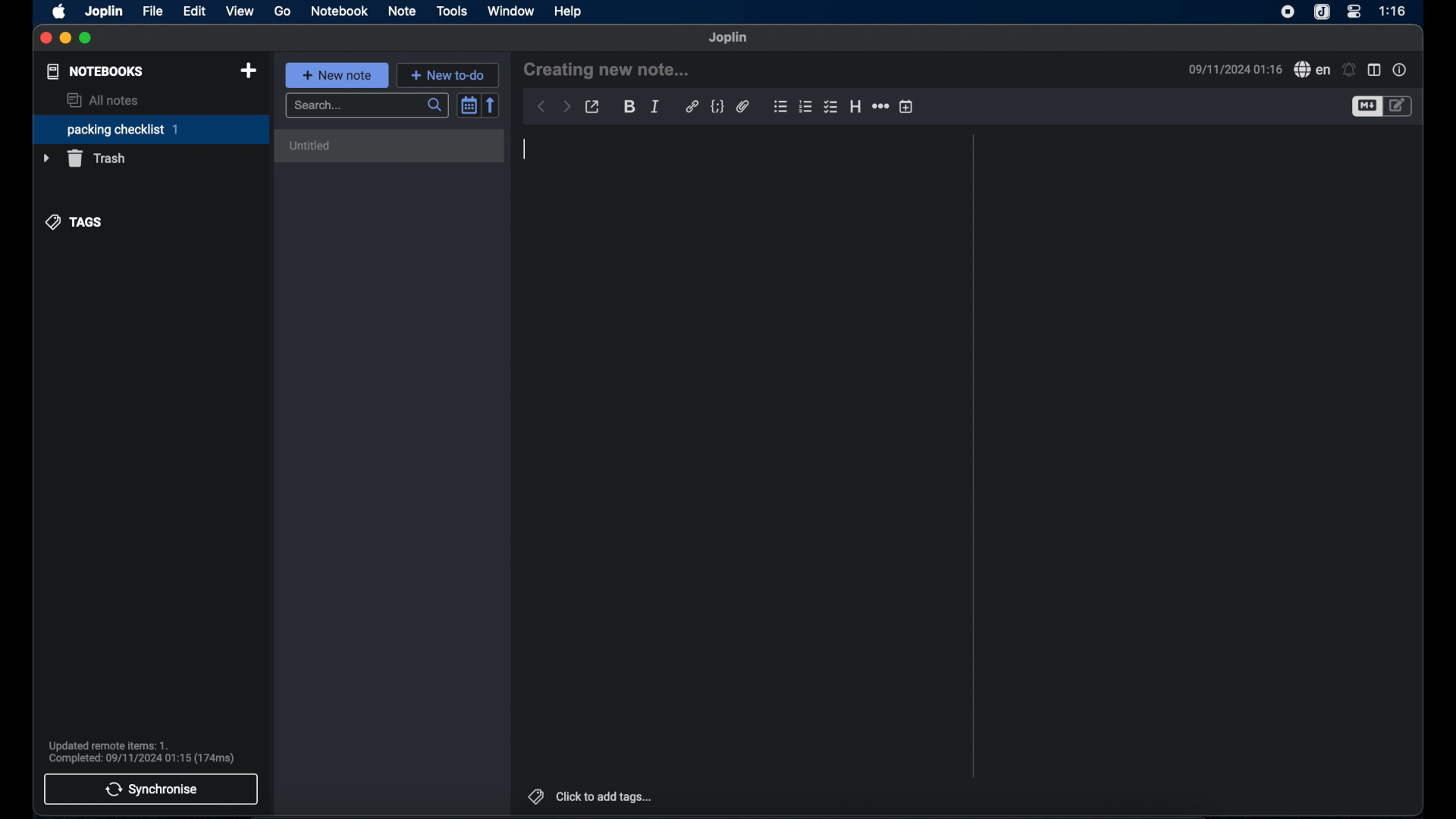 Image resolution: width=1456 pixels, height=819 pixels. What do you see at coordinates (448, 74) in the screenshot?
I see `new to do` at bounding box center [448, 74].